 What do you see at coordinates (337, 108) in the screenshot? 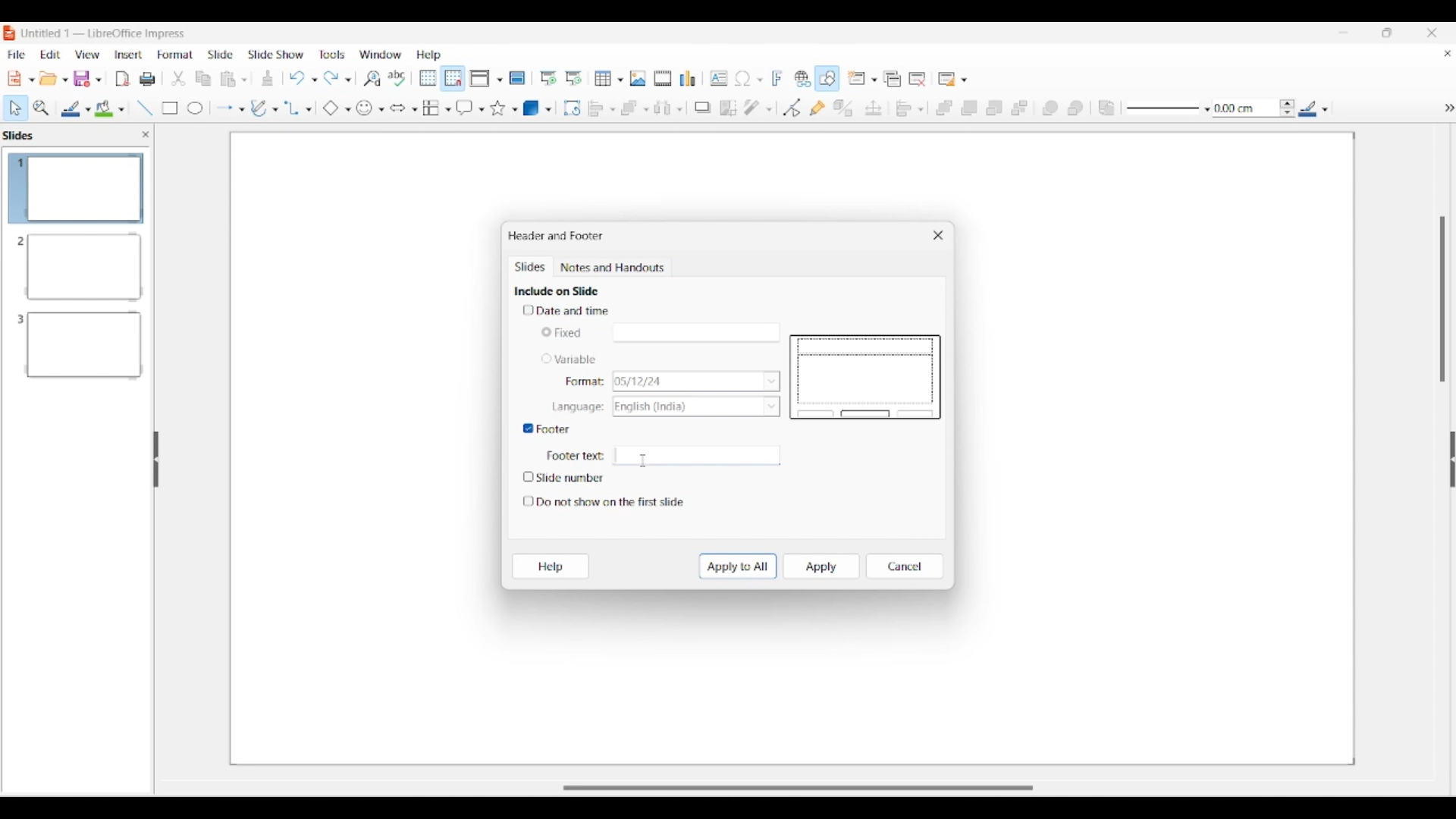
I see `Basic shape options` at bounding box center [337, 108].